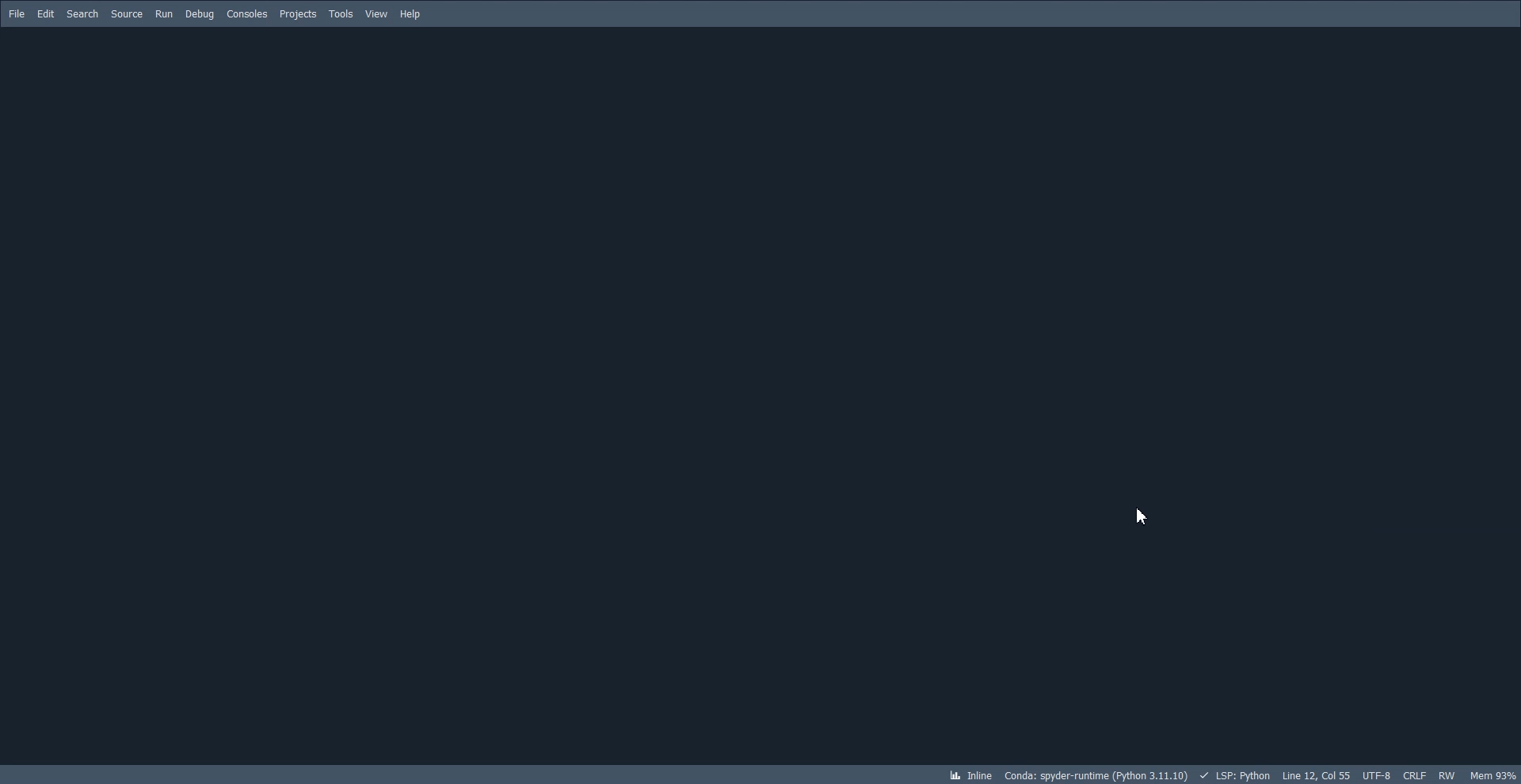 This screenshot has height=784, width=1521. What do you see at coordinates (299, 14) in the screenshot?
I see `Projects` at bounding box center [299, 14].